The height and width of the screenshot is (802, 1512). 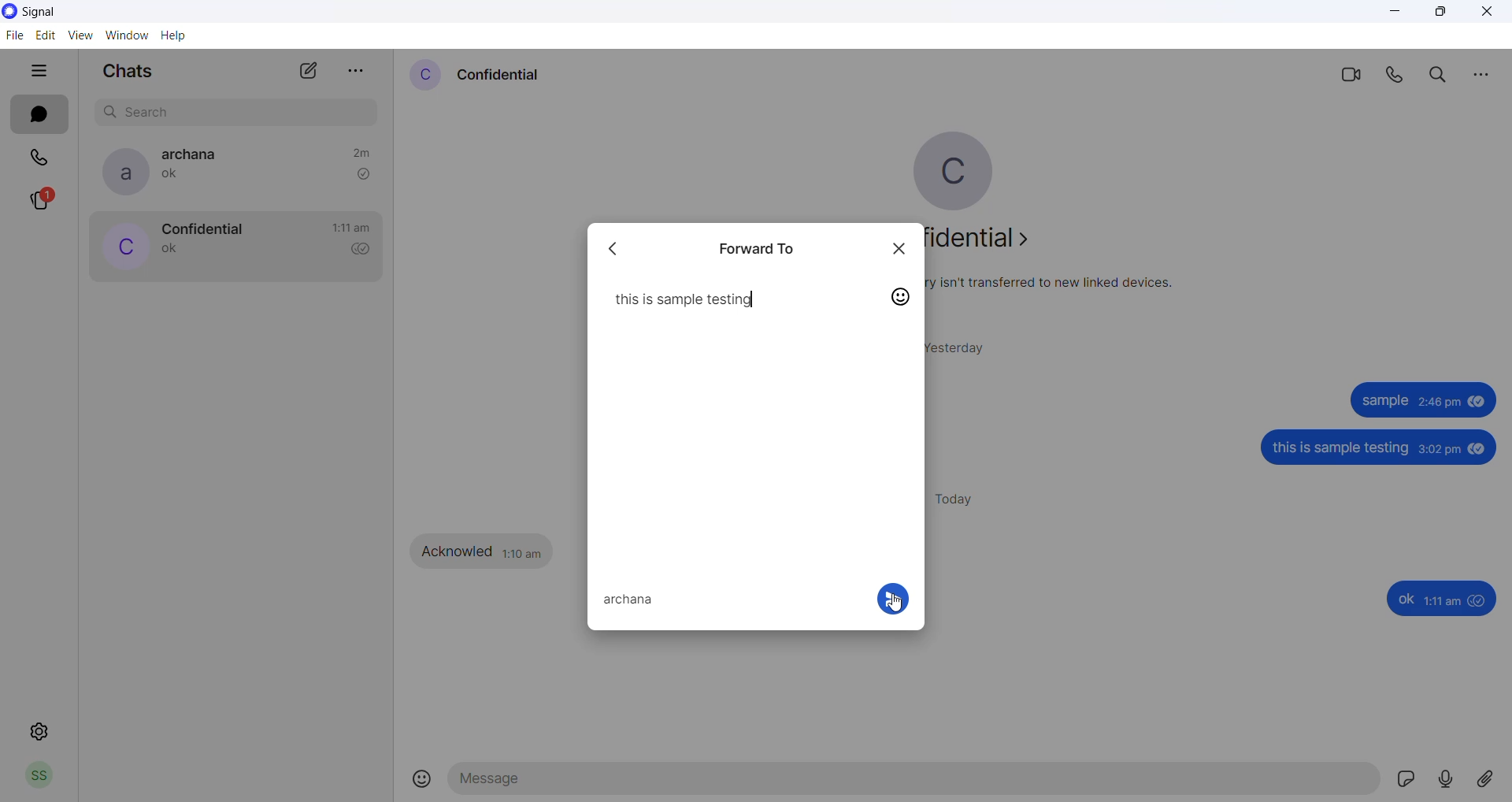 I want to click on application name and logo, so click(x=54, y=11).